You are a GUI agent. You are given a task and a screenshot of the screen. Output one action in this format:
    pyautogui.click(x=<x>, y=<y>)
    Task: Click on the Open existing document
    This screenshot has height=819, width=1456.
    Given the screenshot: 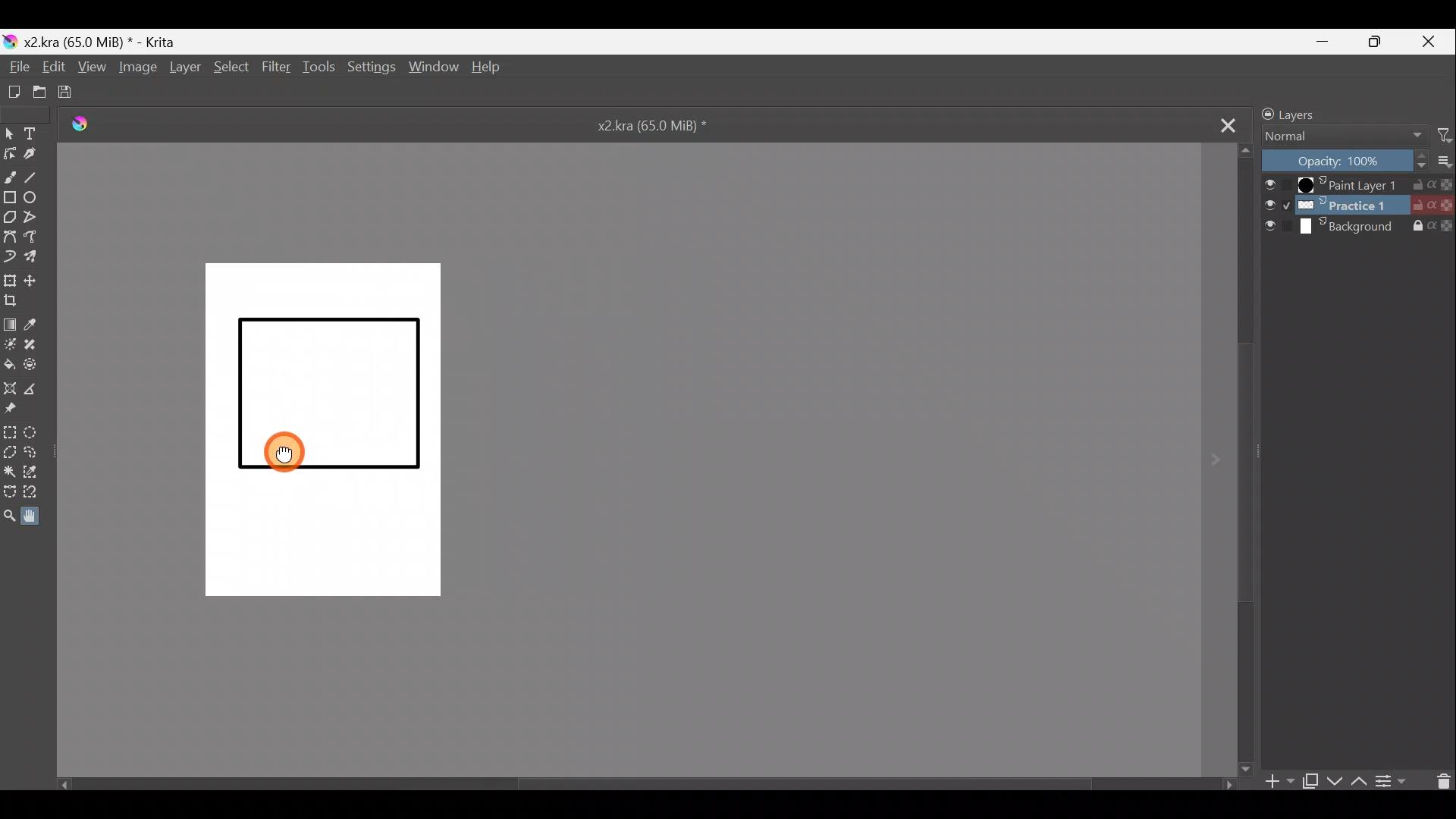 What is the action you would take?
    pyautogui.click(x=40, y=93)
    